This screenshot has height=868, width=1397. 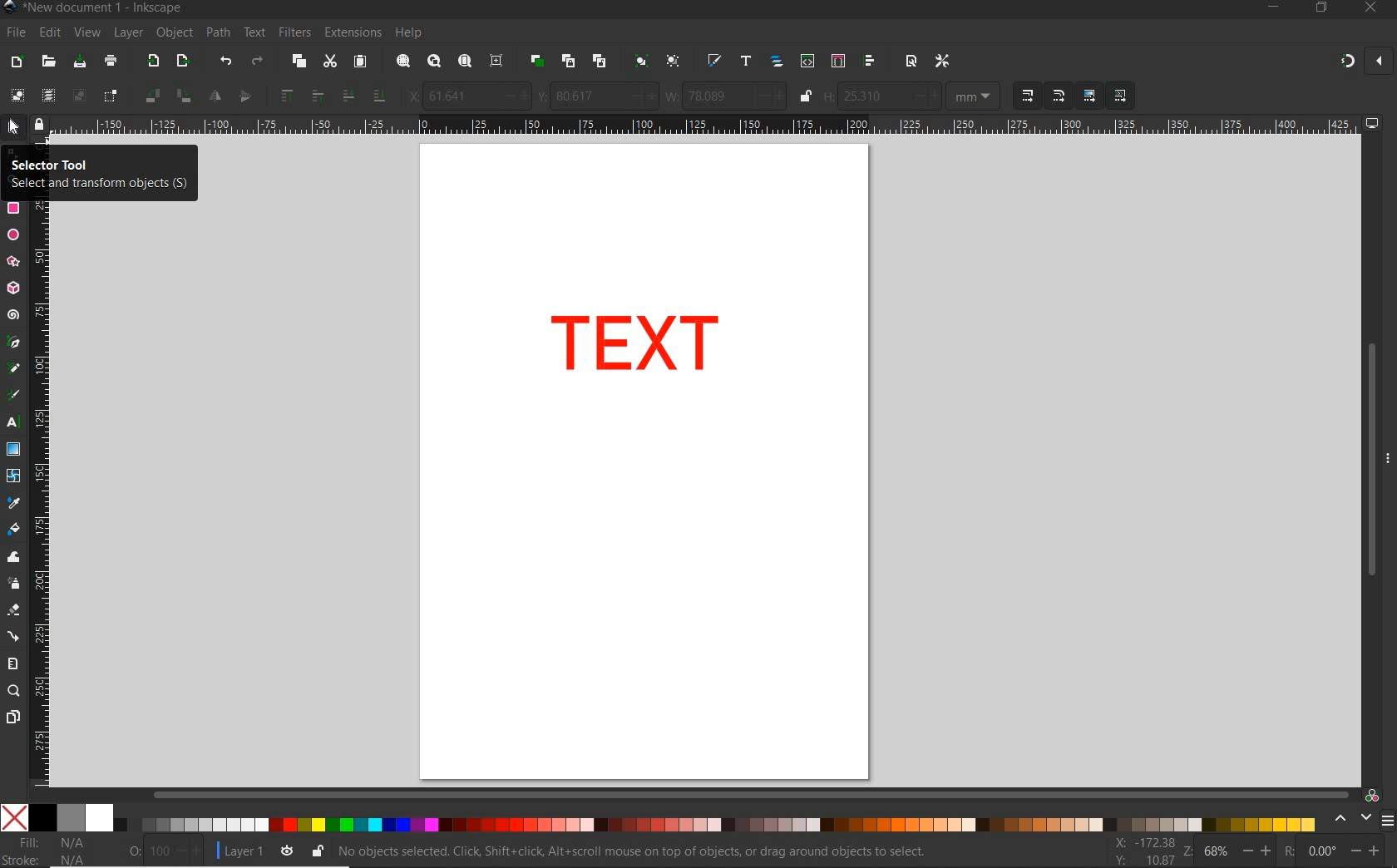 What do you see at coordinates (1320, 8) in the screenshot?
I see `RESTORE DOWN` at bounding box center [1320, 8].